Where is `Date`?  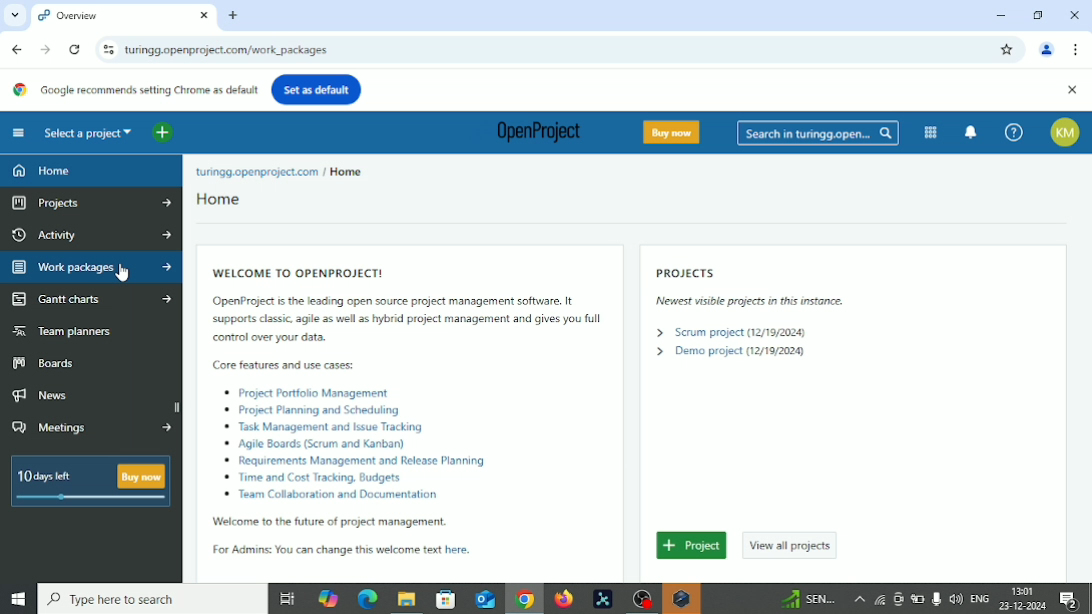 Date is located at coordinates (1024, 606).